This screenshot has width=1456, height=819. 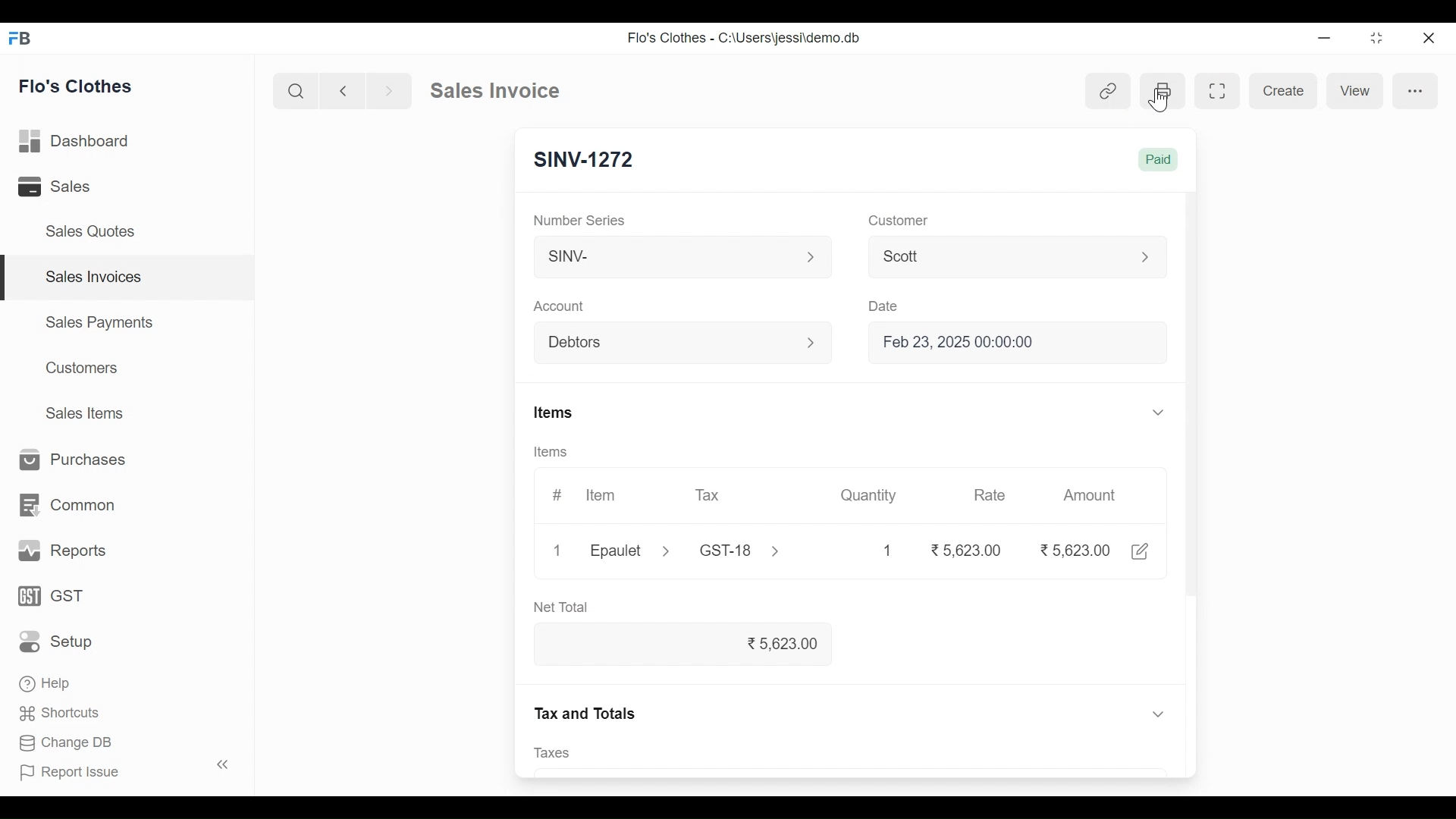 I want to click on Epaulet > GST-18 >, so click(x=684, y=551).